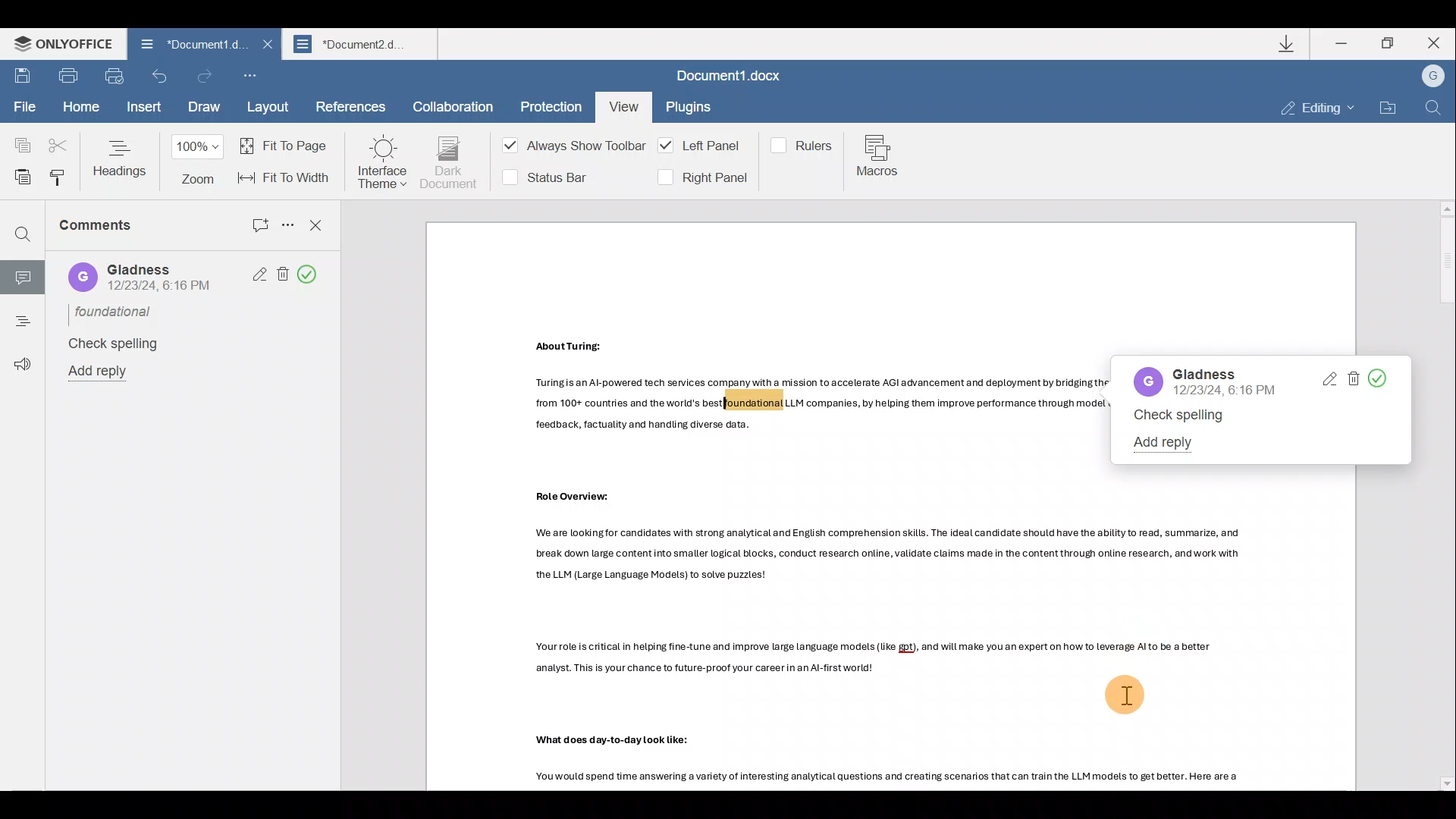  What do you see at coordinates (285, 224) in the screenshot?
I see `Sort and more` at bounding box center [285, 224].